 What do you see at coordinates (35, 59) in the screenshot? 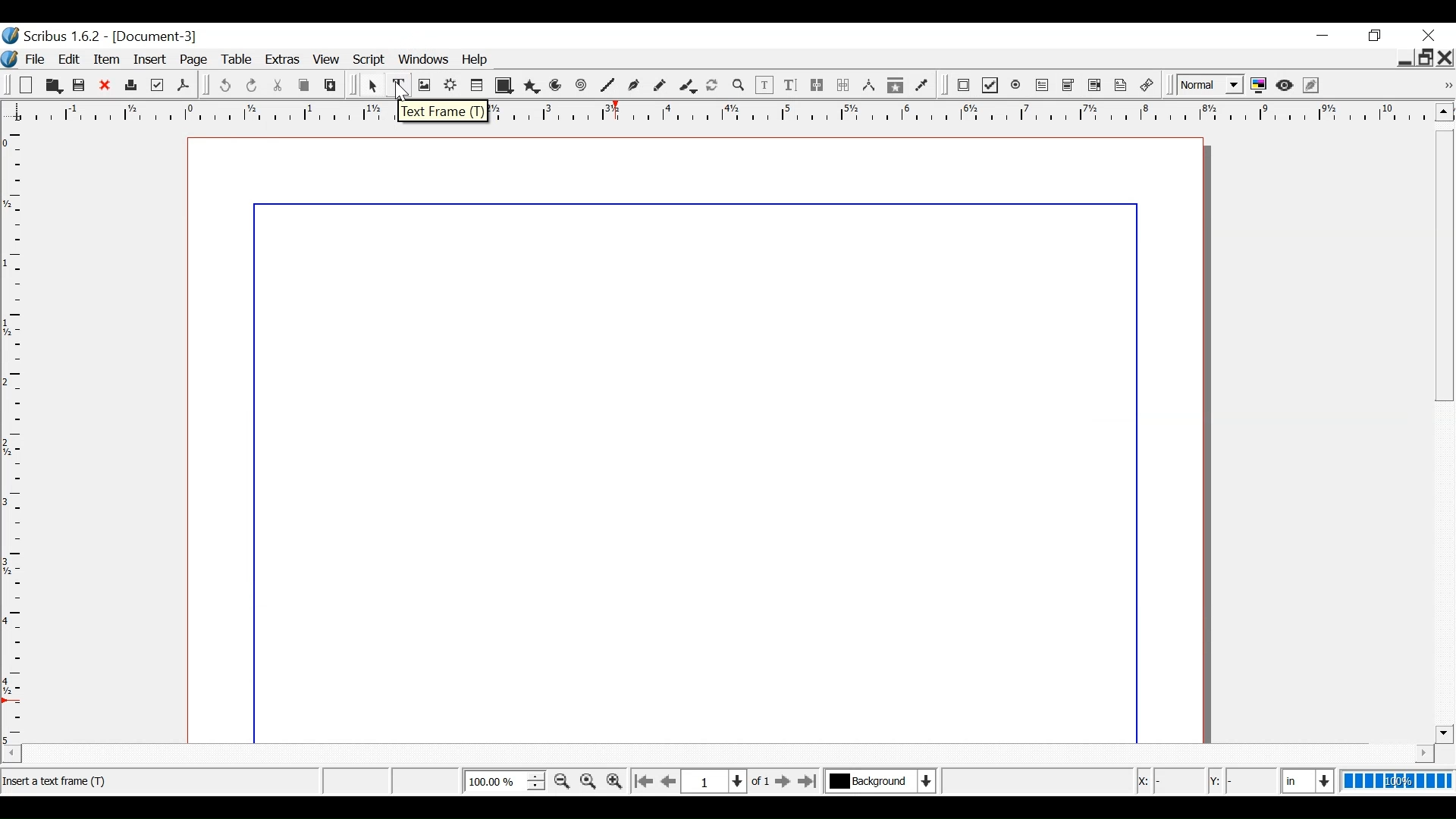
I see `File` at bounding box center [35, 59].